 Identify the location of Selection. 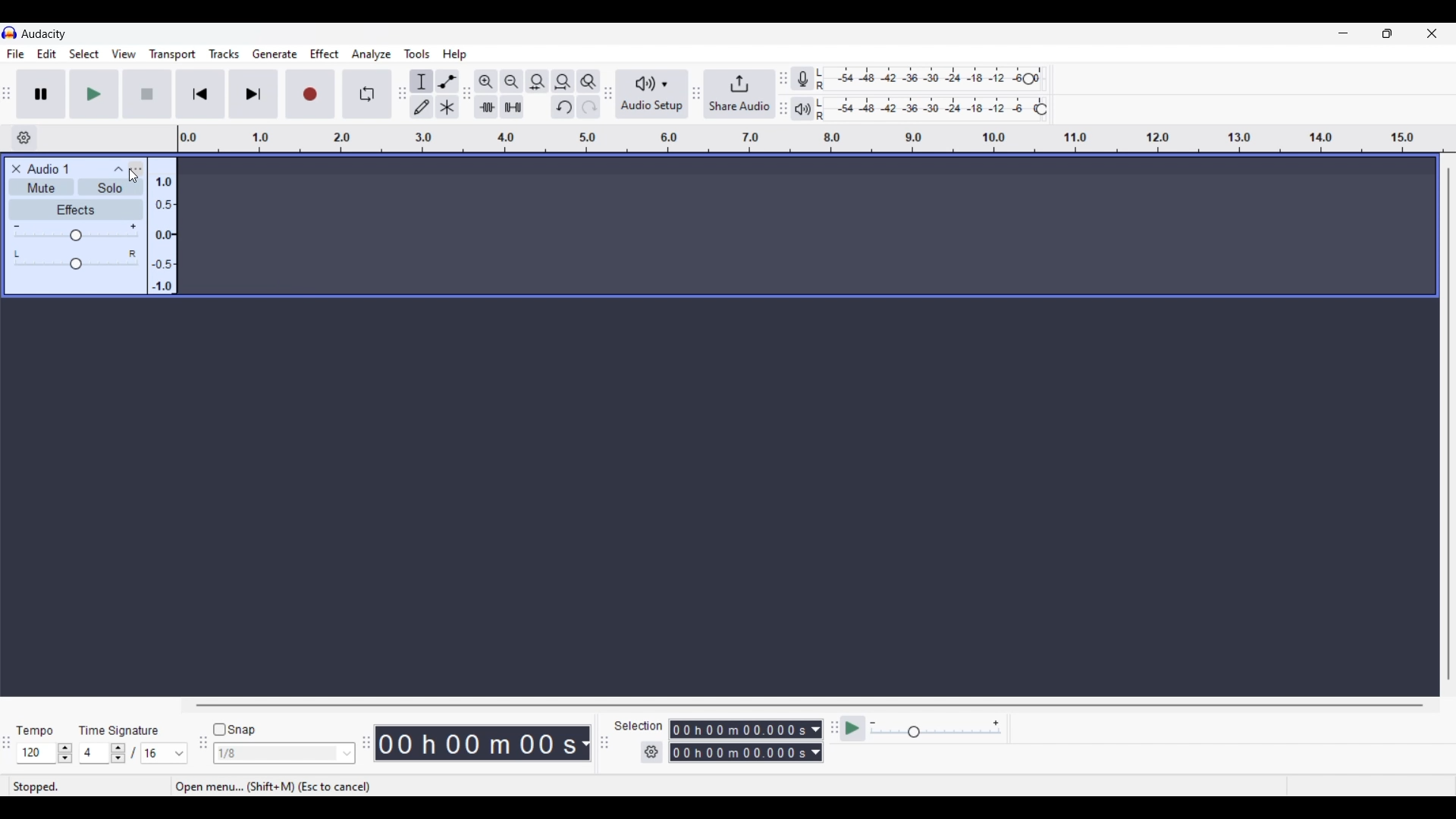
(637, 726).